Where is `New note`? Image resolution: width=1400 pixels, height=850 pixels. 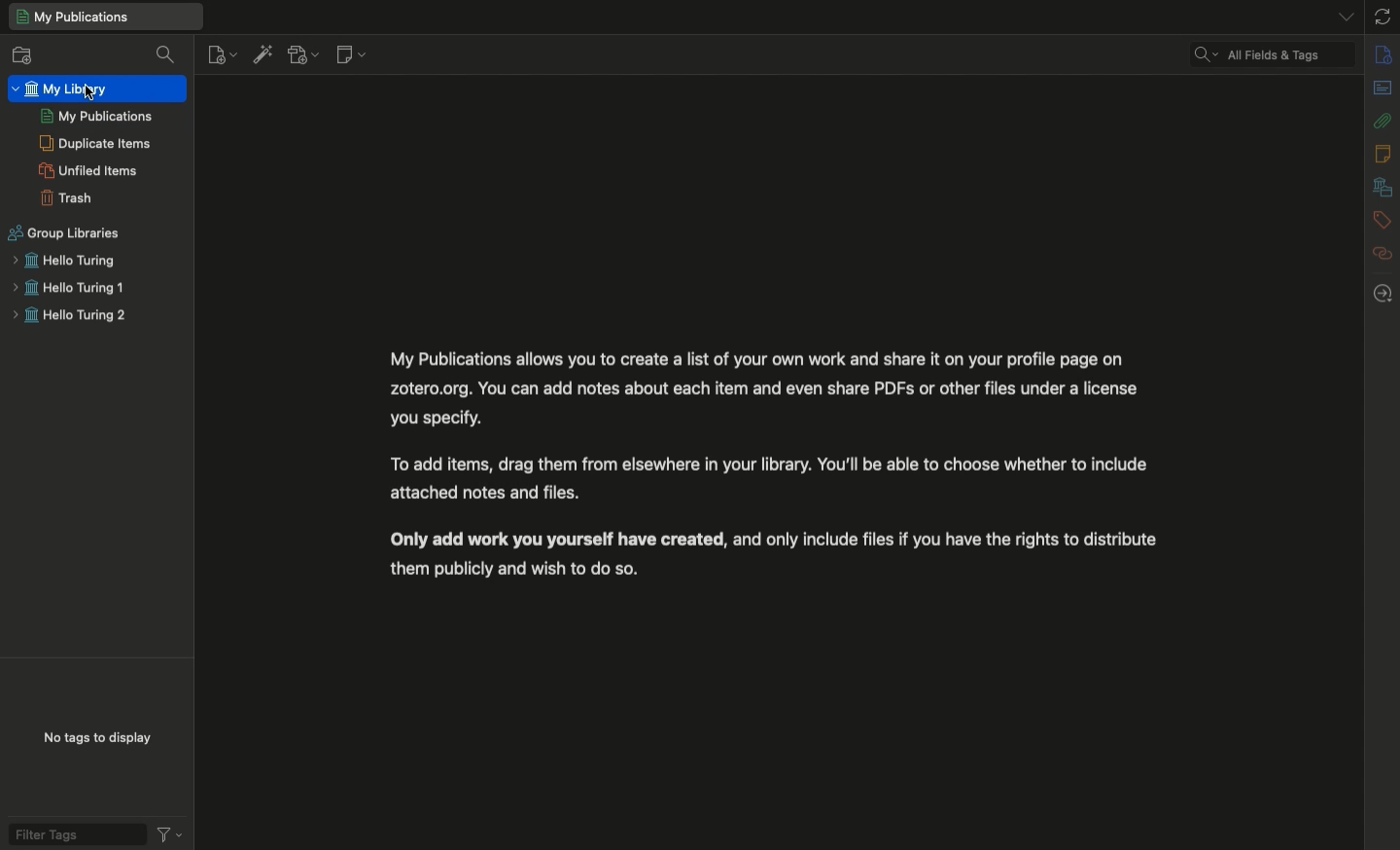 New note is located at coordinates (349, 55).